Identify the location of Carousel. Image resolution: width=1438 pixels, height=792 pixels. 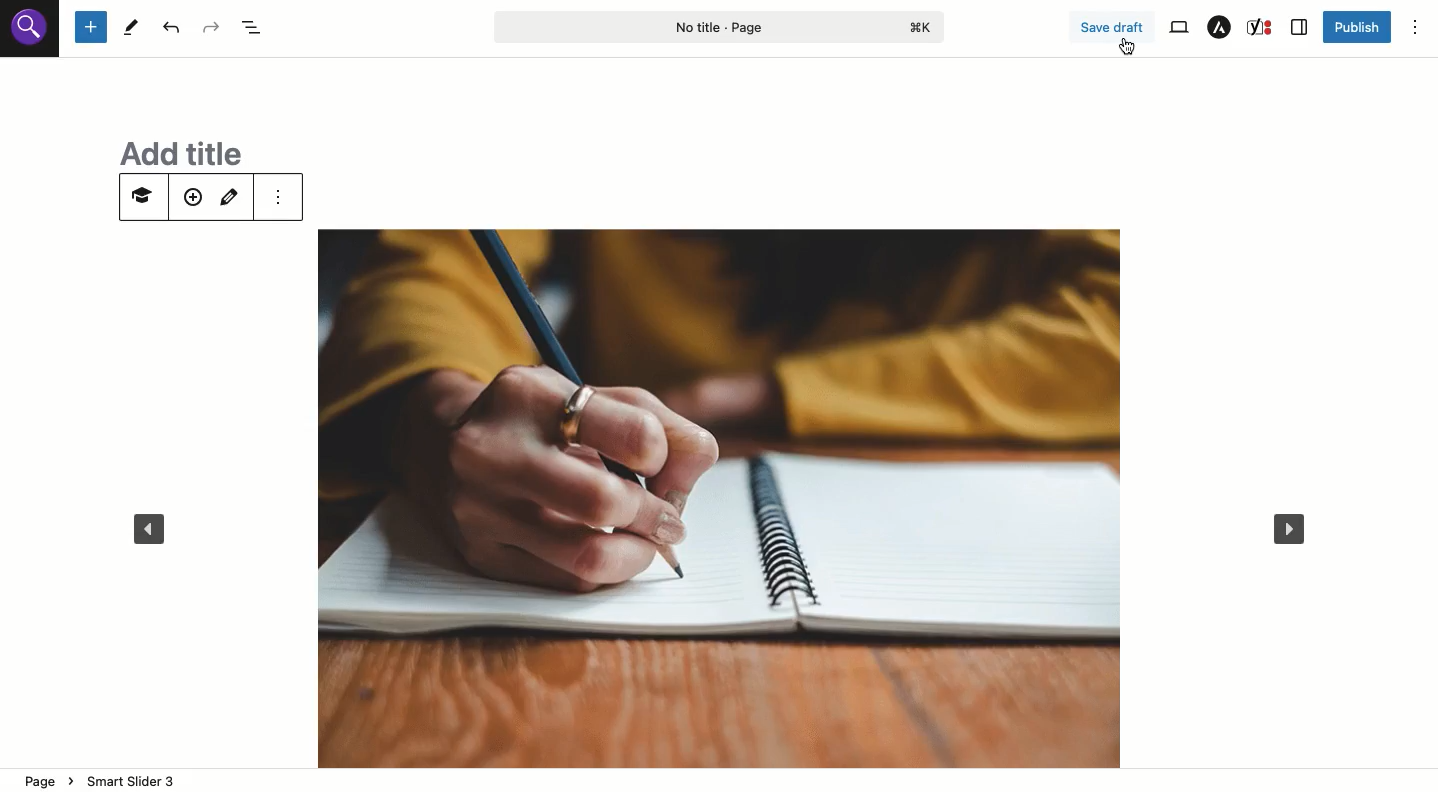
(718, 494).